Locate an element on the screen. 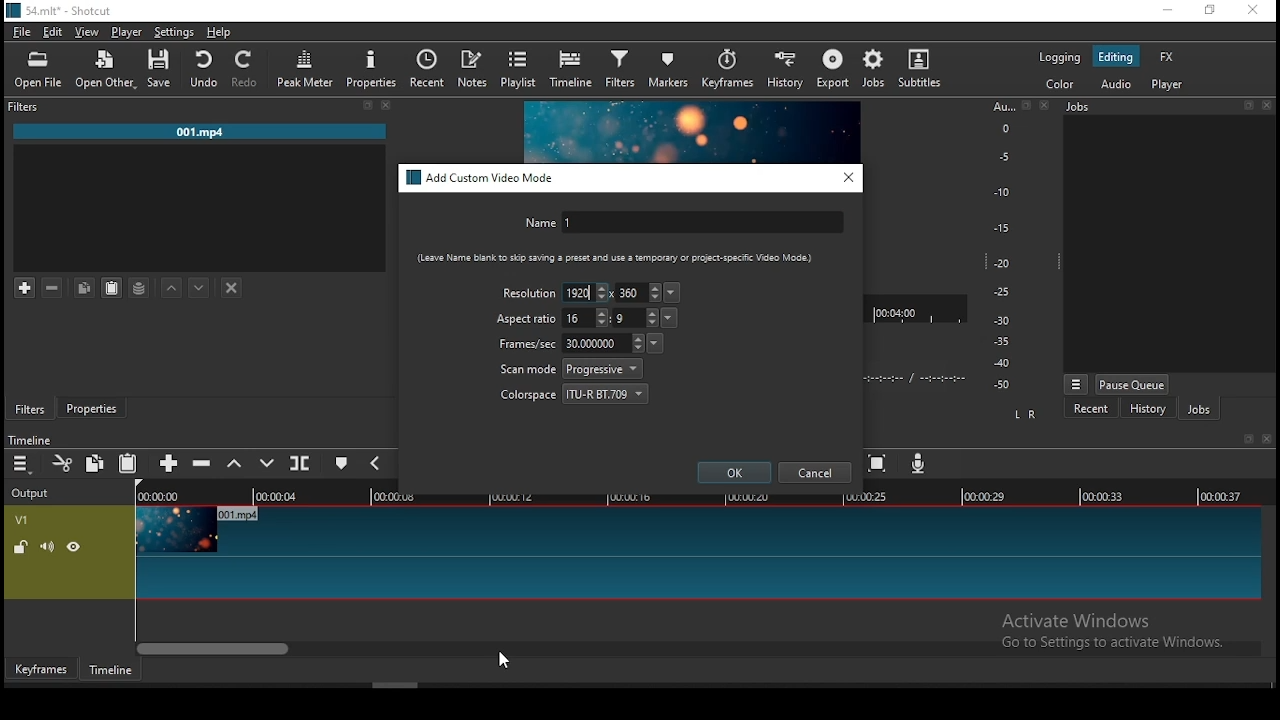 Image resolution: width=1280 pixels, height=720 pixels. minimize is located at coordinates (1167, 11).